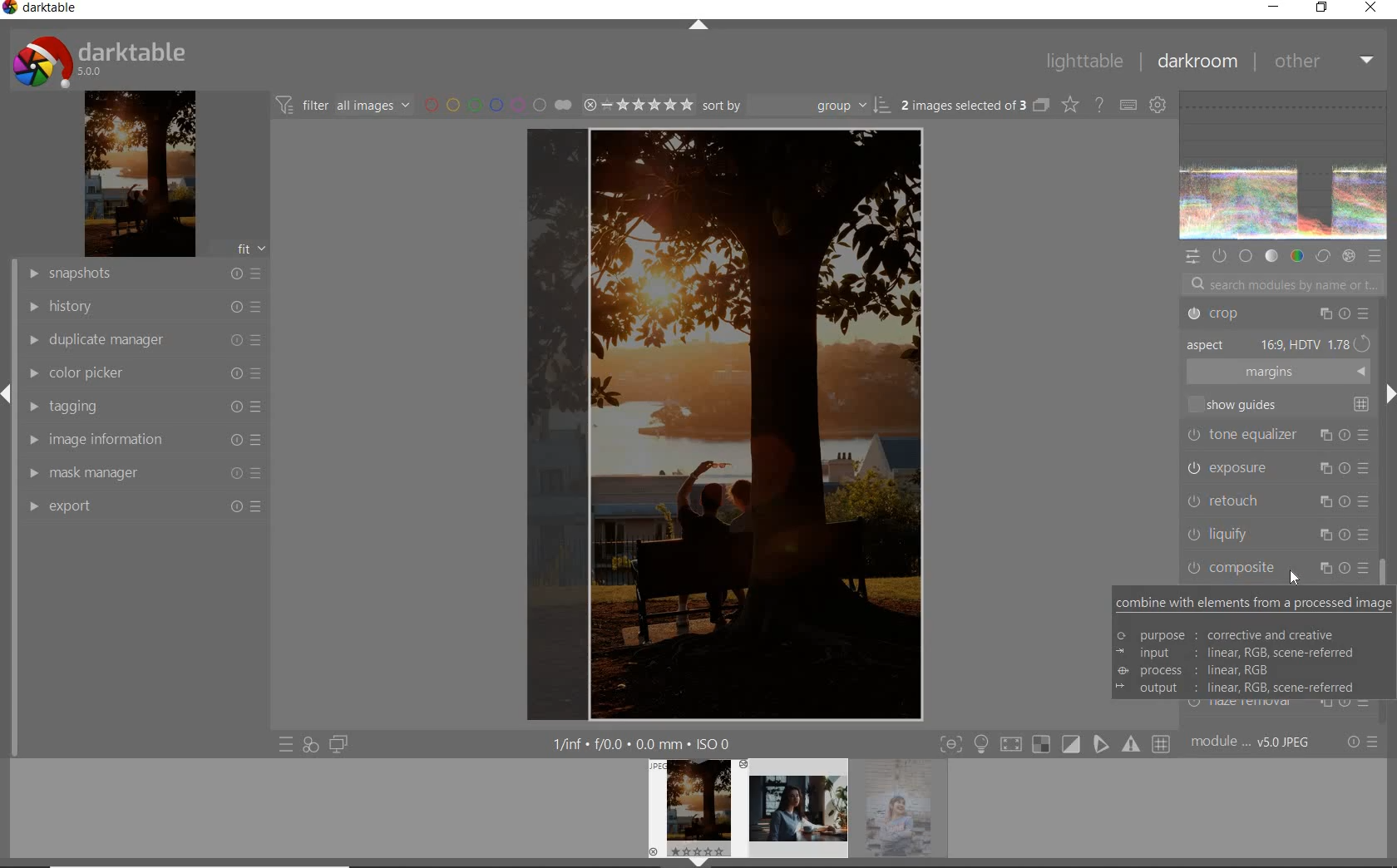 This screenshot has width=1397, height=868. Describe the element at coordinates (1274, 499) in the screenshot. I see `retouch` at that location.